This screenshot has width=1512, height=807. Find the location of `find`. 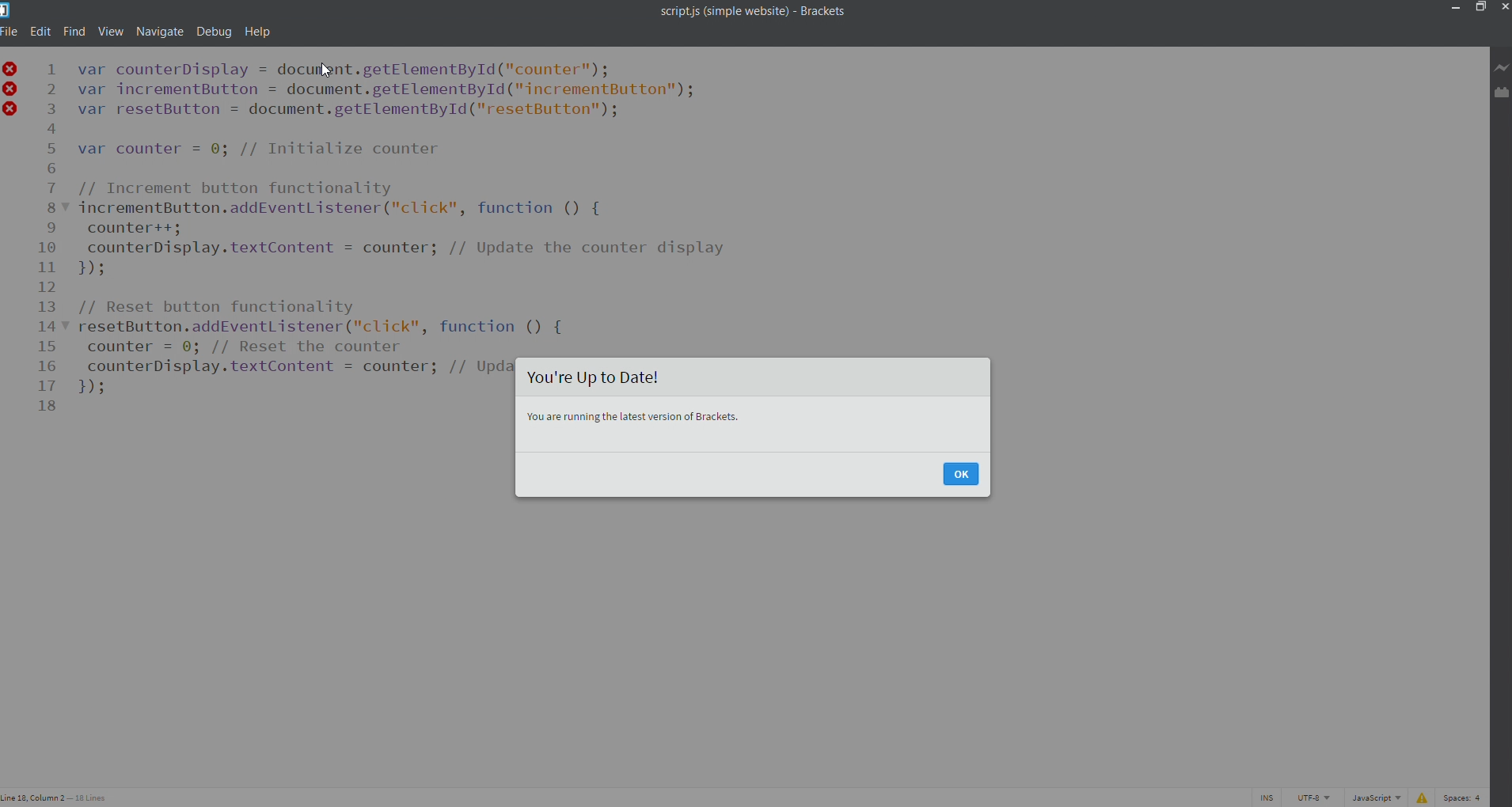

find is located at coordinates (76, 30).